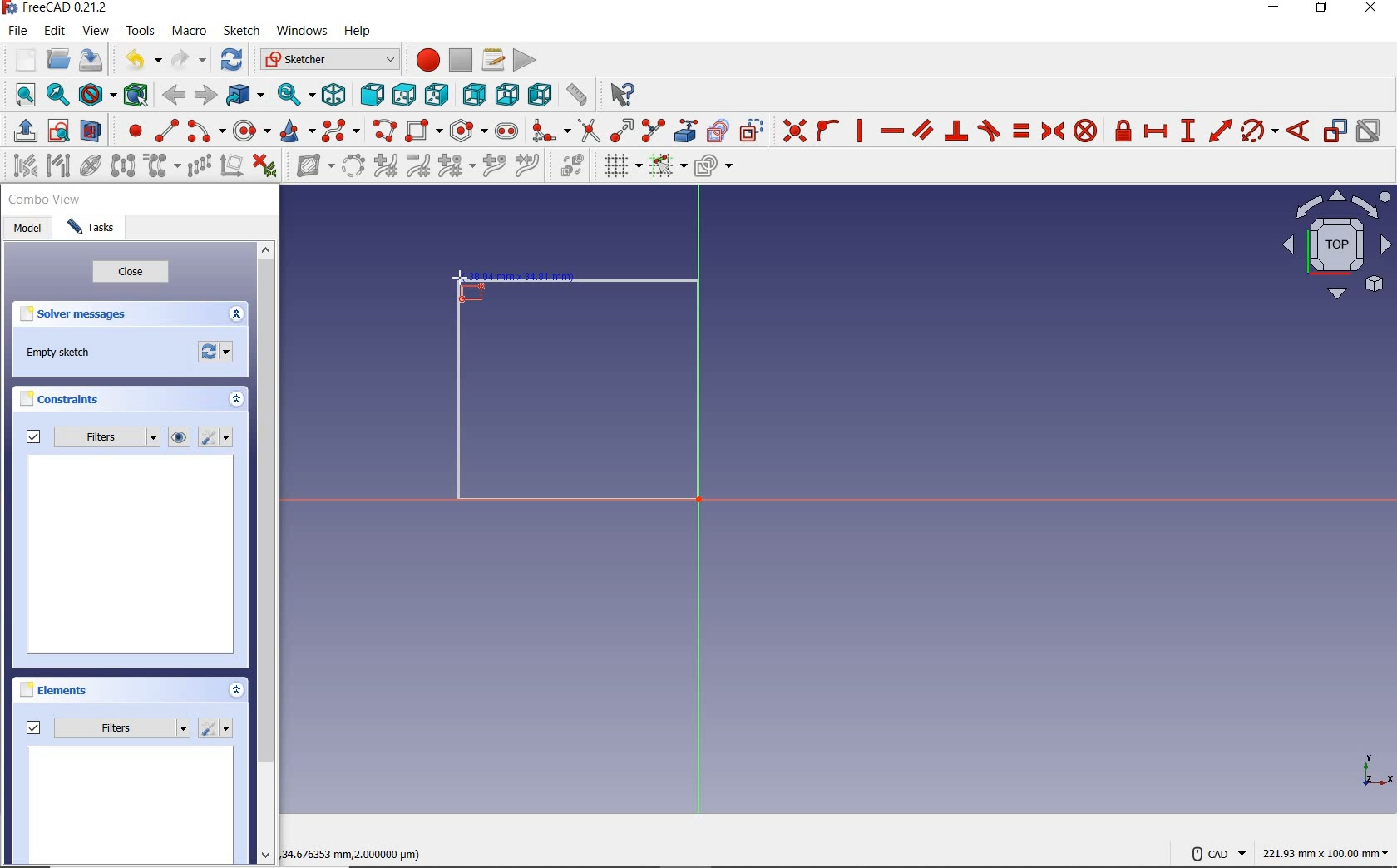 This screenshot has width=1397, height=868. Describe the element at coordinates (57, 31) in the screenshot. I see `edit` at that location.